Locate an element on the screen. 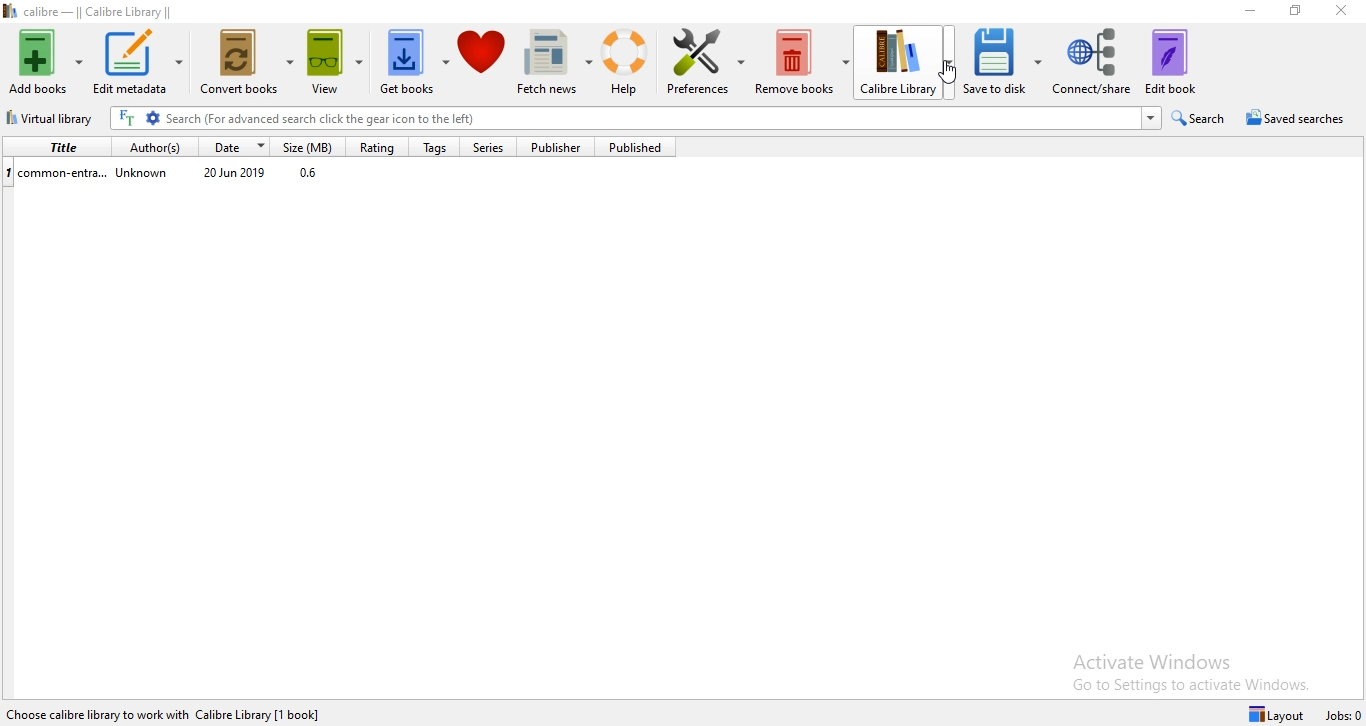  Cursor is located at coordinates (946, 75).